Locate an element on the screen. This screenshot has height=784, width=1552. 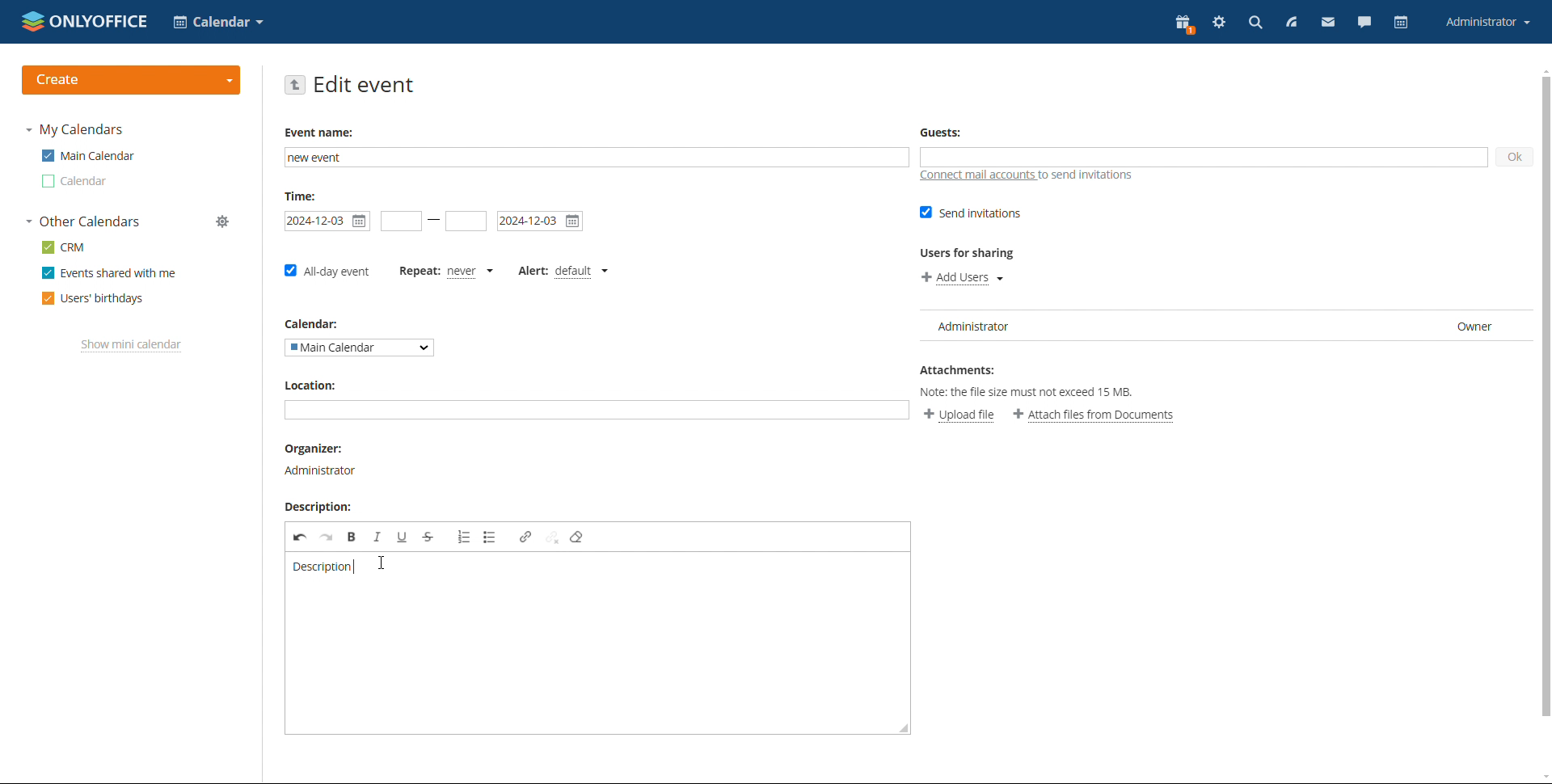
account is located at coordinates (1489, 23).